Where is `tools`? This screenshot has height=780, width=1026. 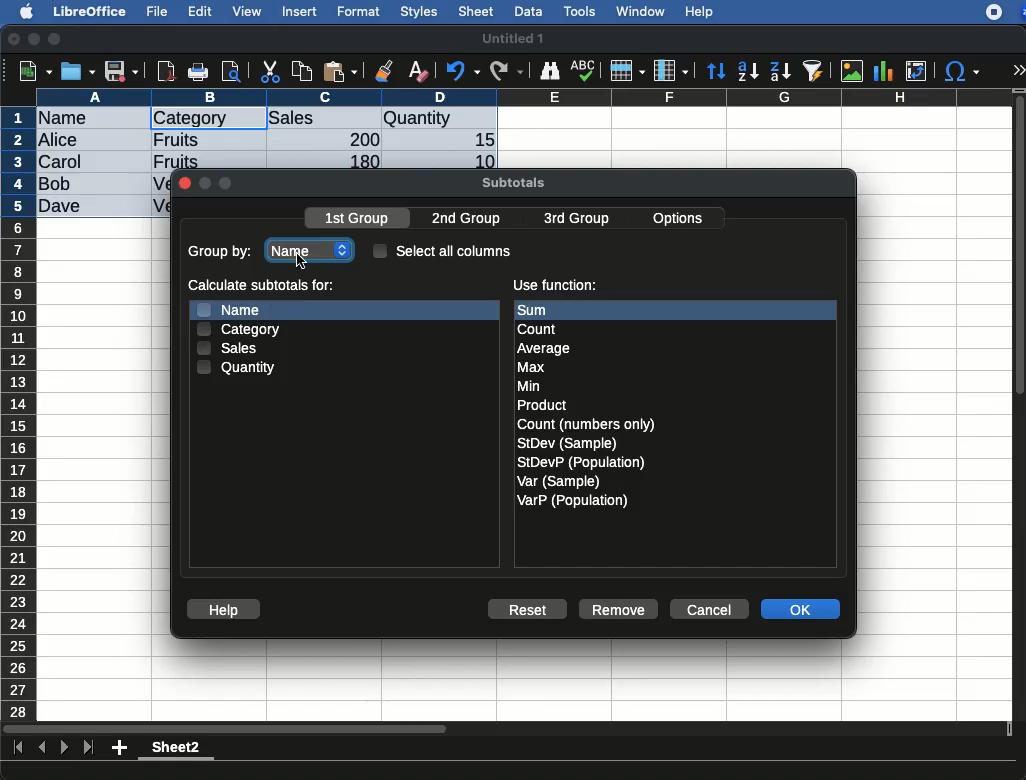 tools is located at coordinates (581, 11).